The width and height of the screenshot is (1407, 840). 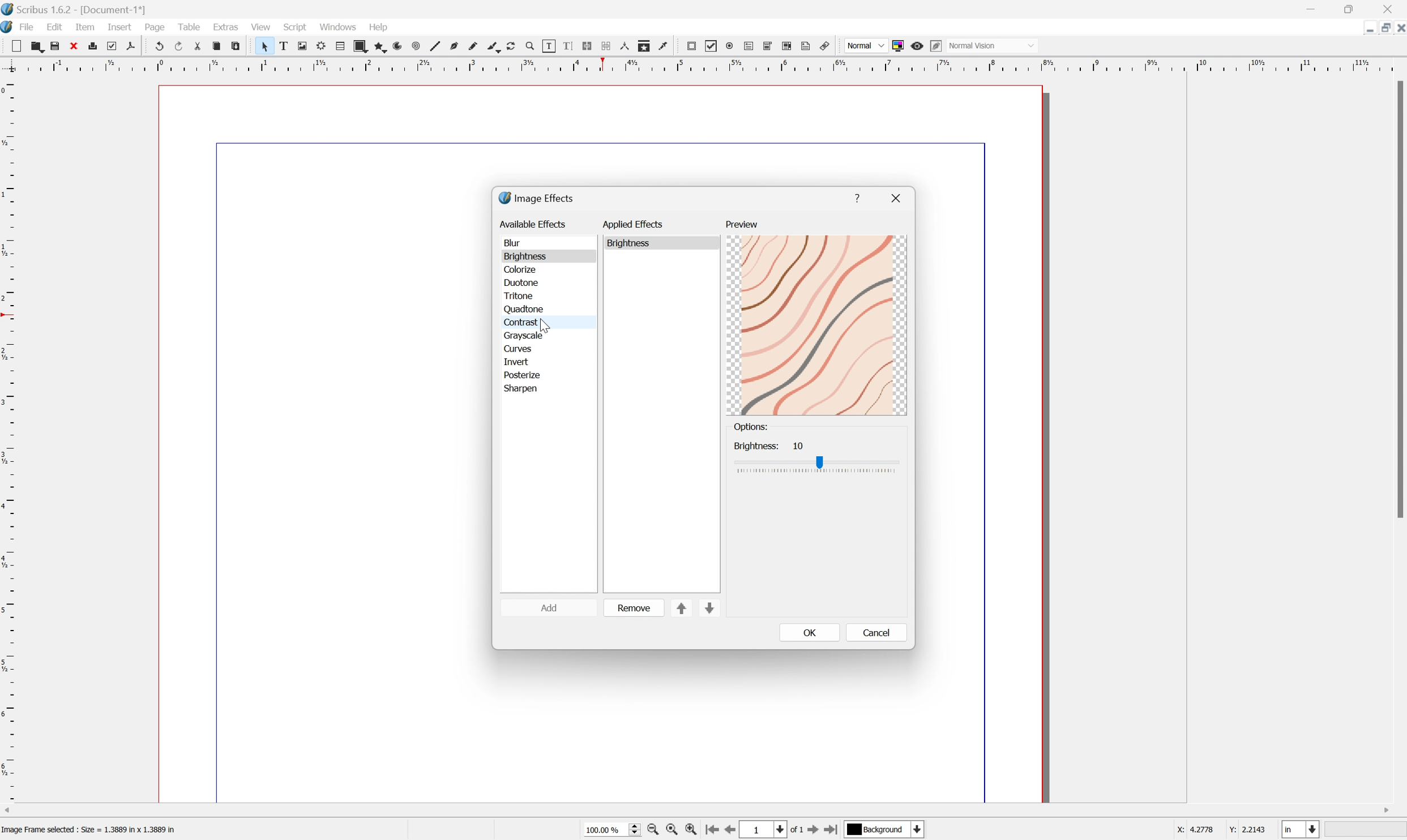 What do you see at coordinates (899, 45) in the screenshot?
I see `Toggle color management` at bounding box center [899, 45].